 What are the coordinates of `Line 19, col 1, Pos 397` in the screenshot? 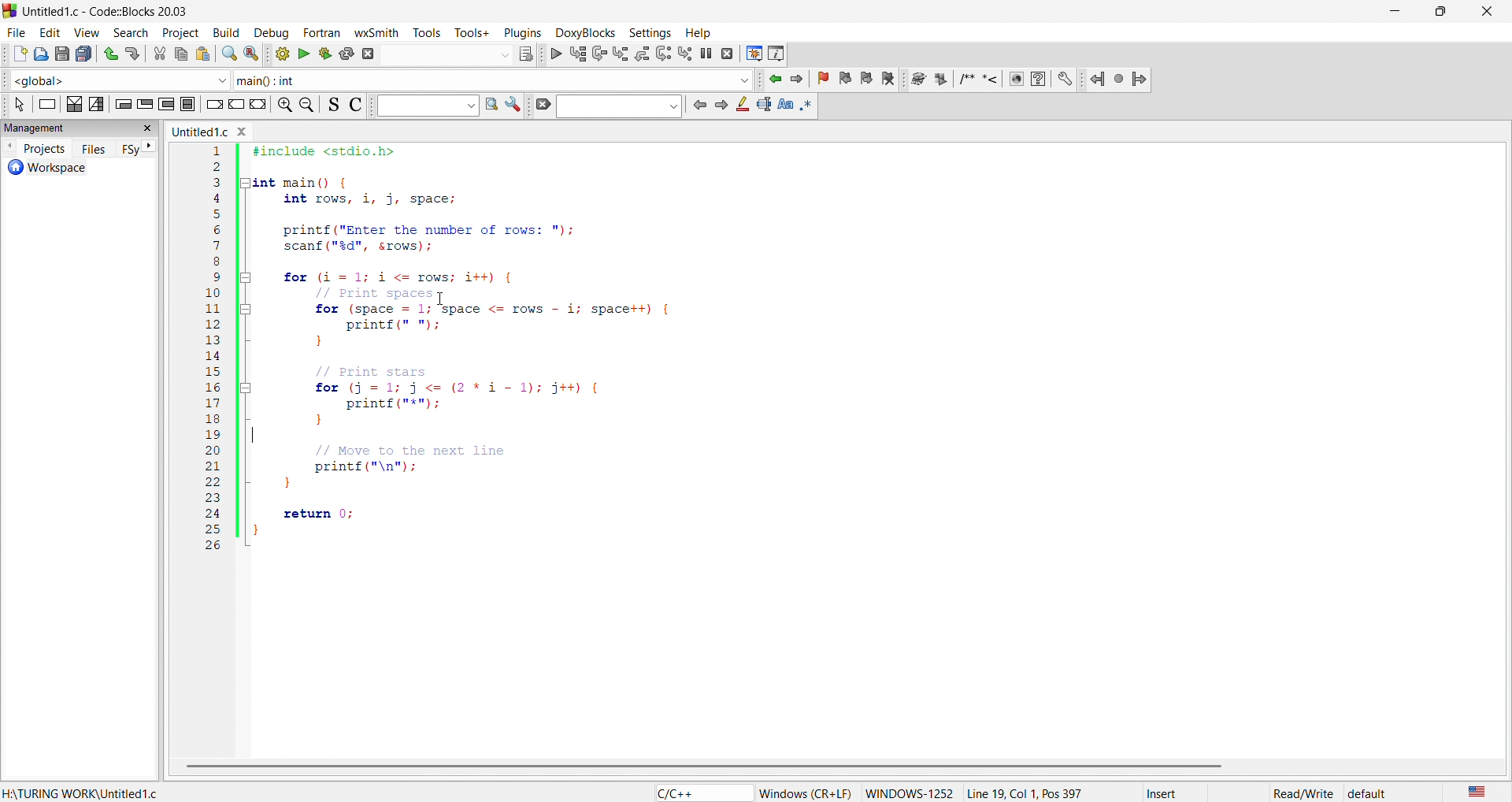 It's located at (1024, 793).